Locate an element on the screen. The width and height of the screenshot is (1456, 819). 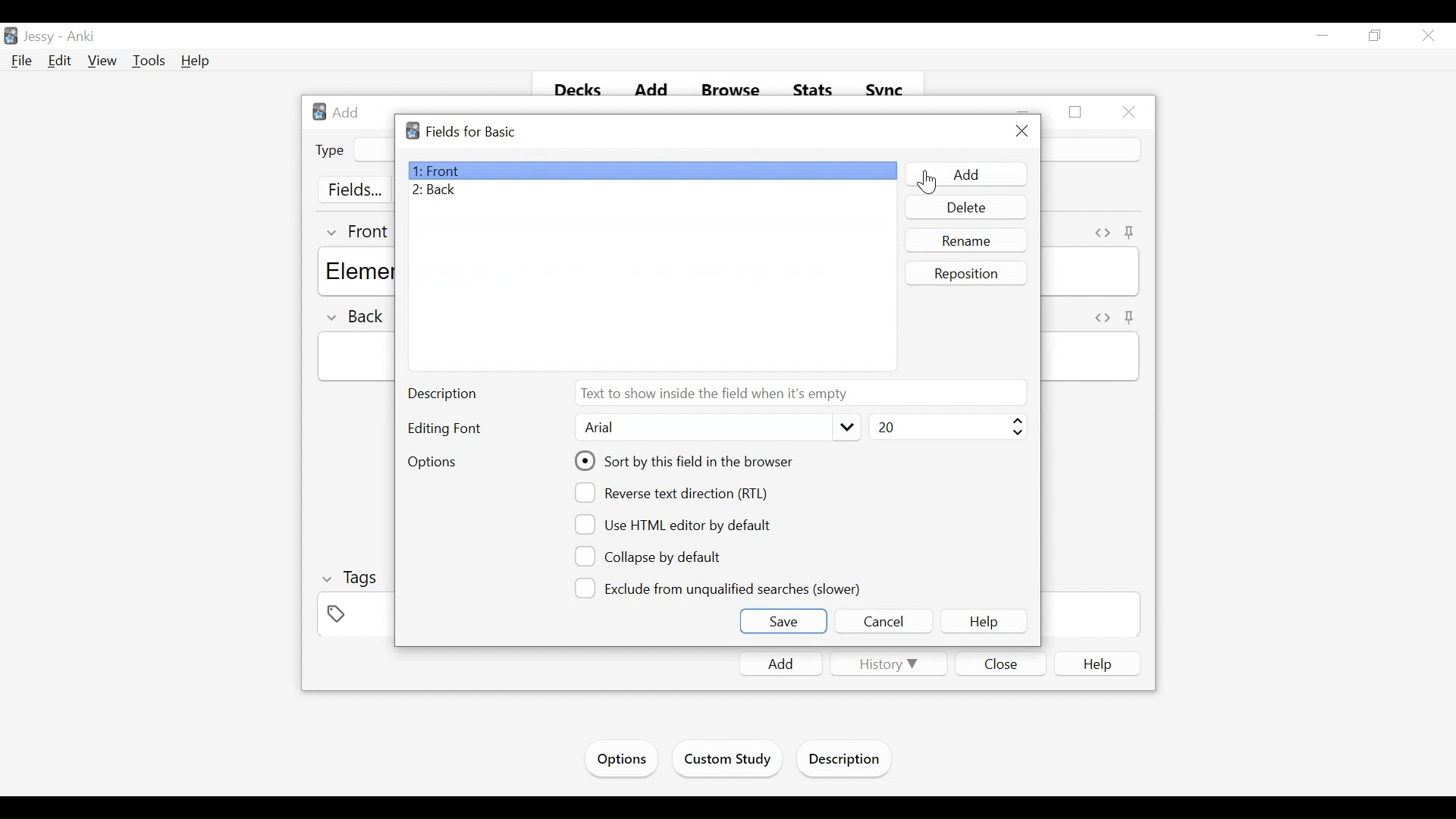
(un)select Use HTML editor by default is located at coordinates (674, 525).